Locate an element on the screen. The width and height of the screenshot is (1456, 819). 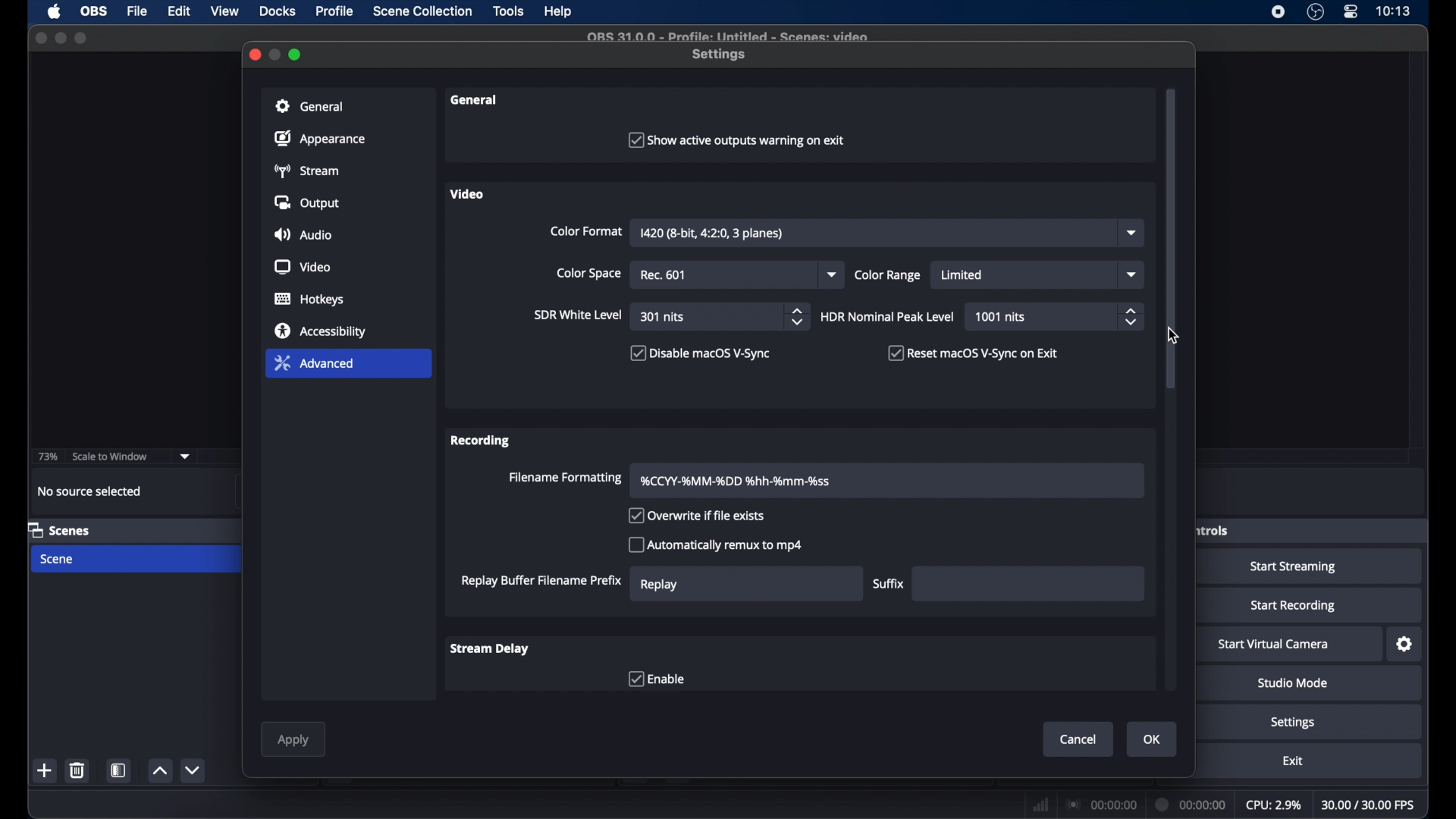
decrement is located at coordinates (192, 770).